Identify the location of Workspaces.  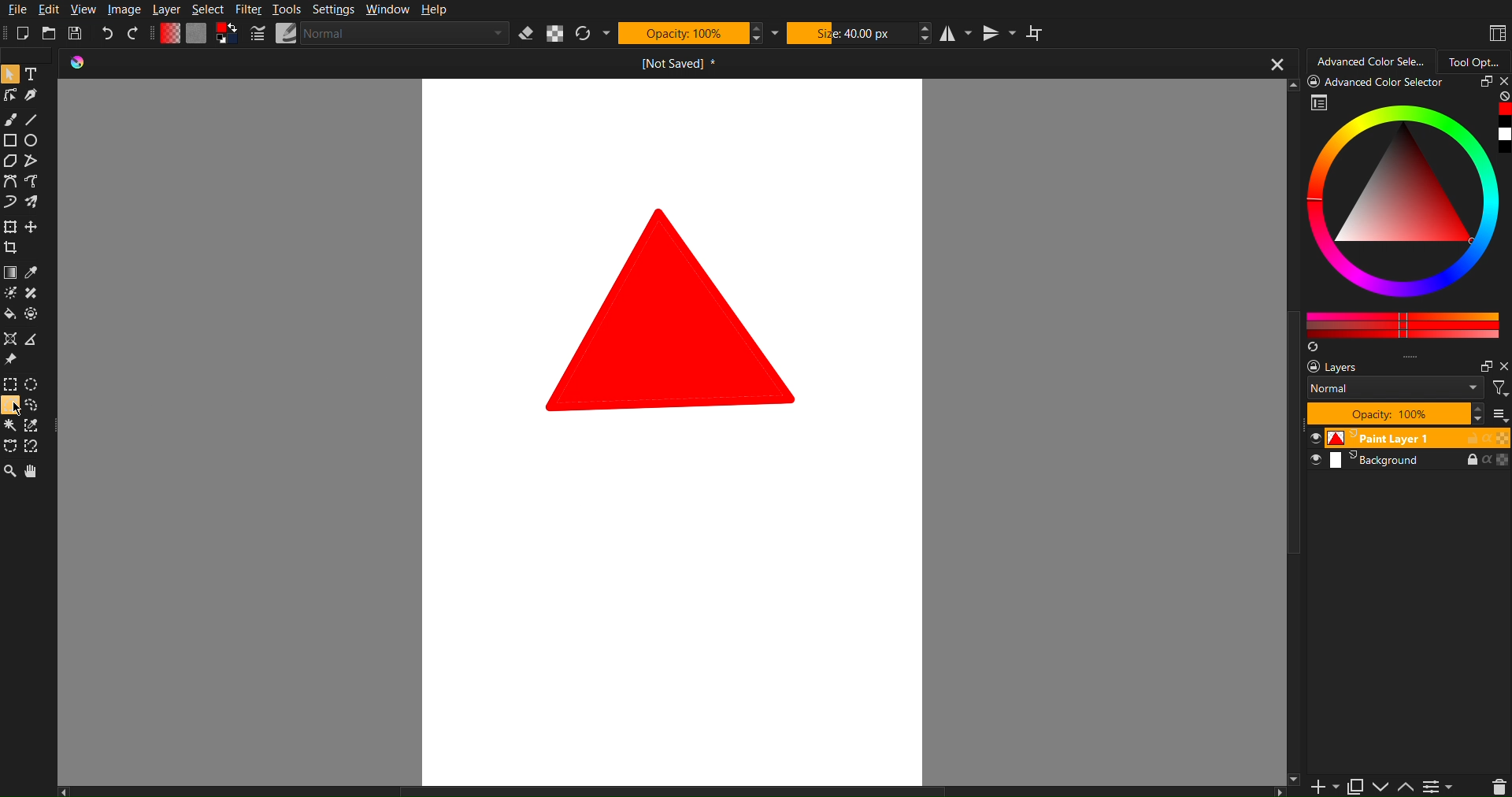
(1495, 32).